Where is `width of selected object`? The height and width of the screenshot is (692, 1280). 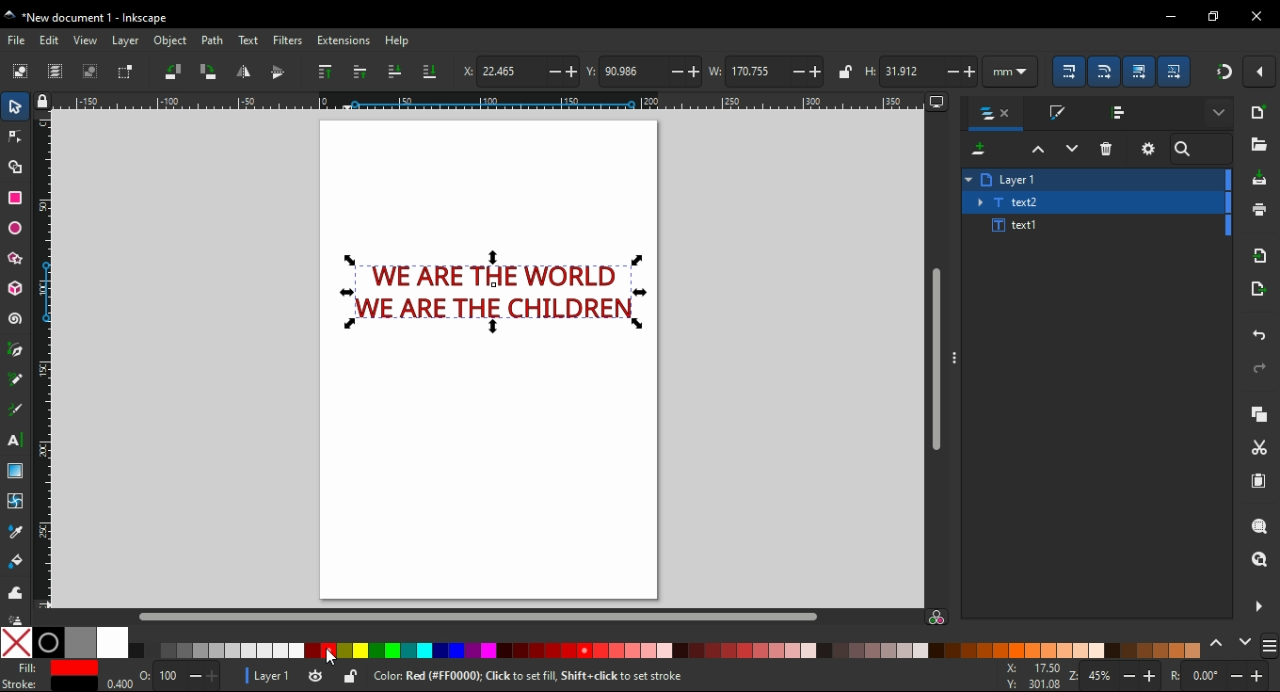
width of selected object is located at coordinates (766, 70).